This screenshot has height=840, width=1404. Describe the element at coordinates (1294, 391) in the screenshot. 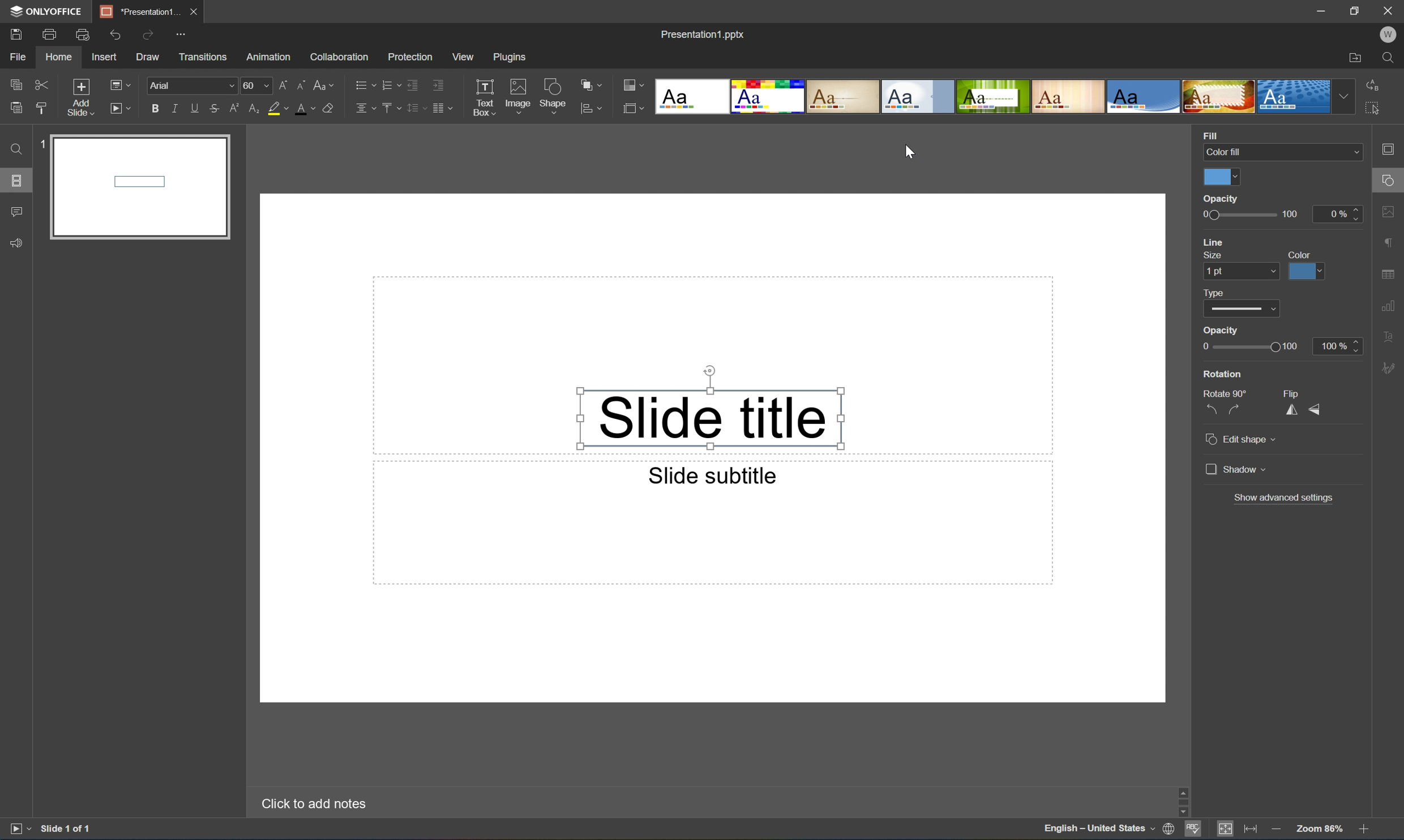

I see `Flip` at that location.